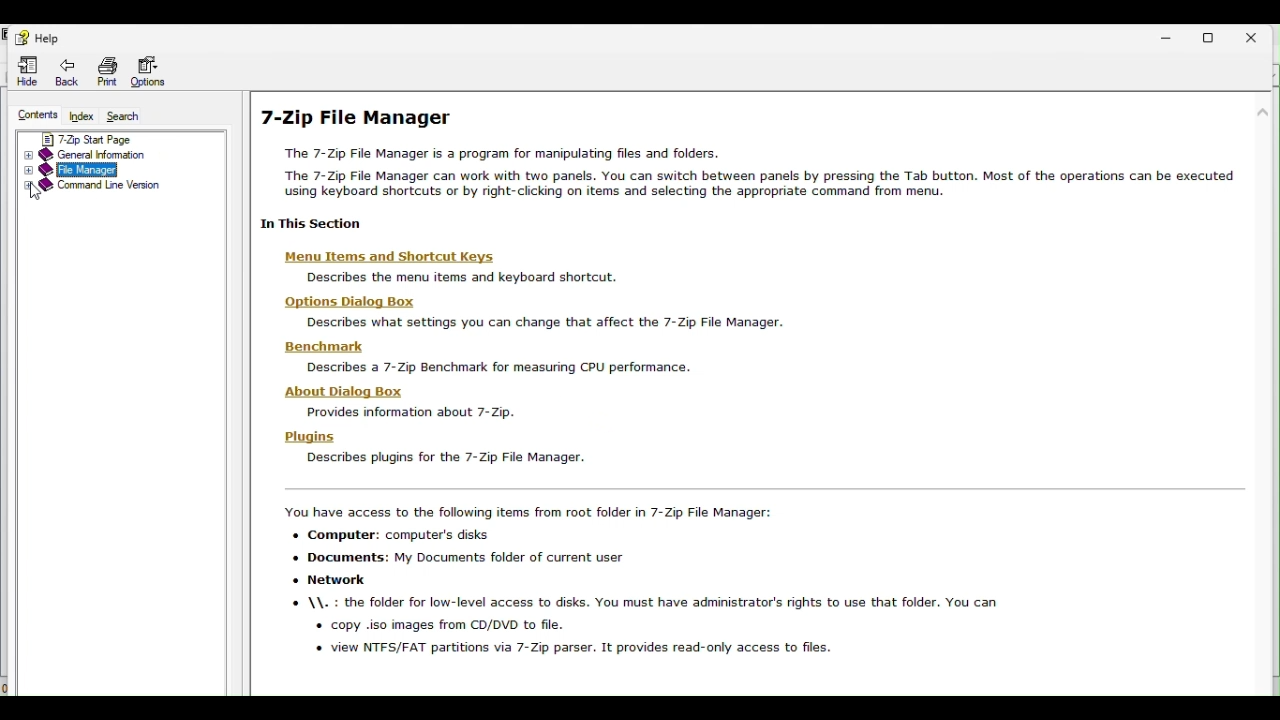 The width and height of the screenshot is (1280, 720). Describe the element at coordinates (127, 137) in the screenshot. I see `7 zip start page` at that location.